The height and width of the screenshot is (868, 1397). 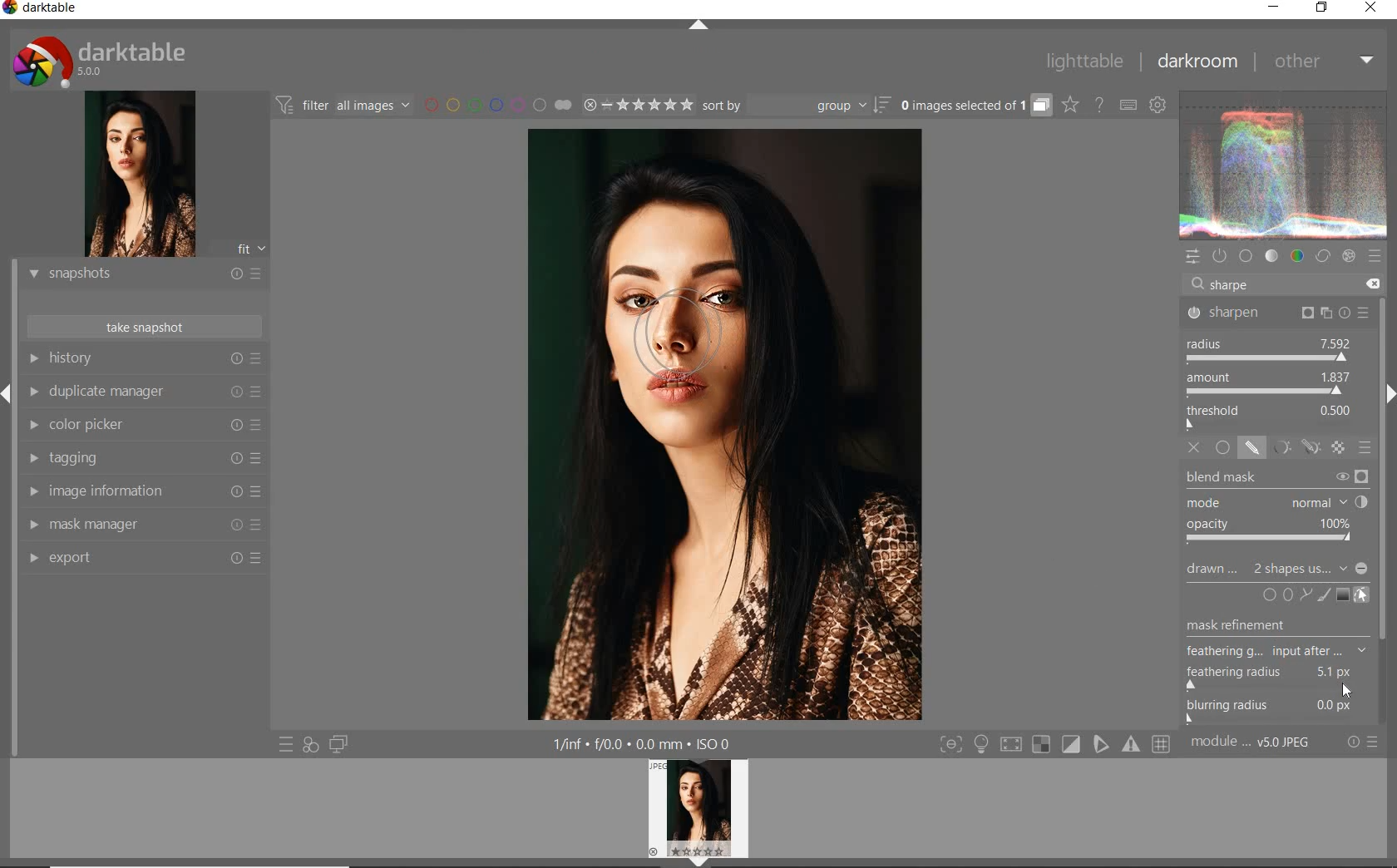 I want to click on CLOSE, so click(x=1373, y=8).